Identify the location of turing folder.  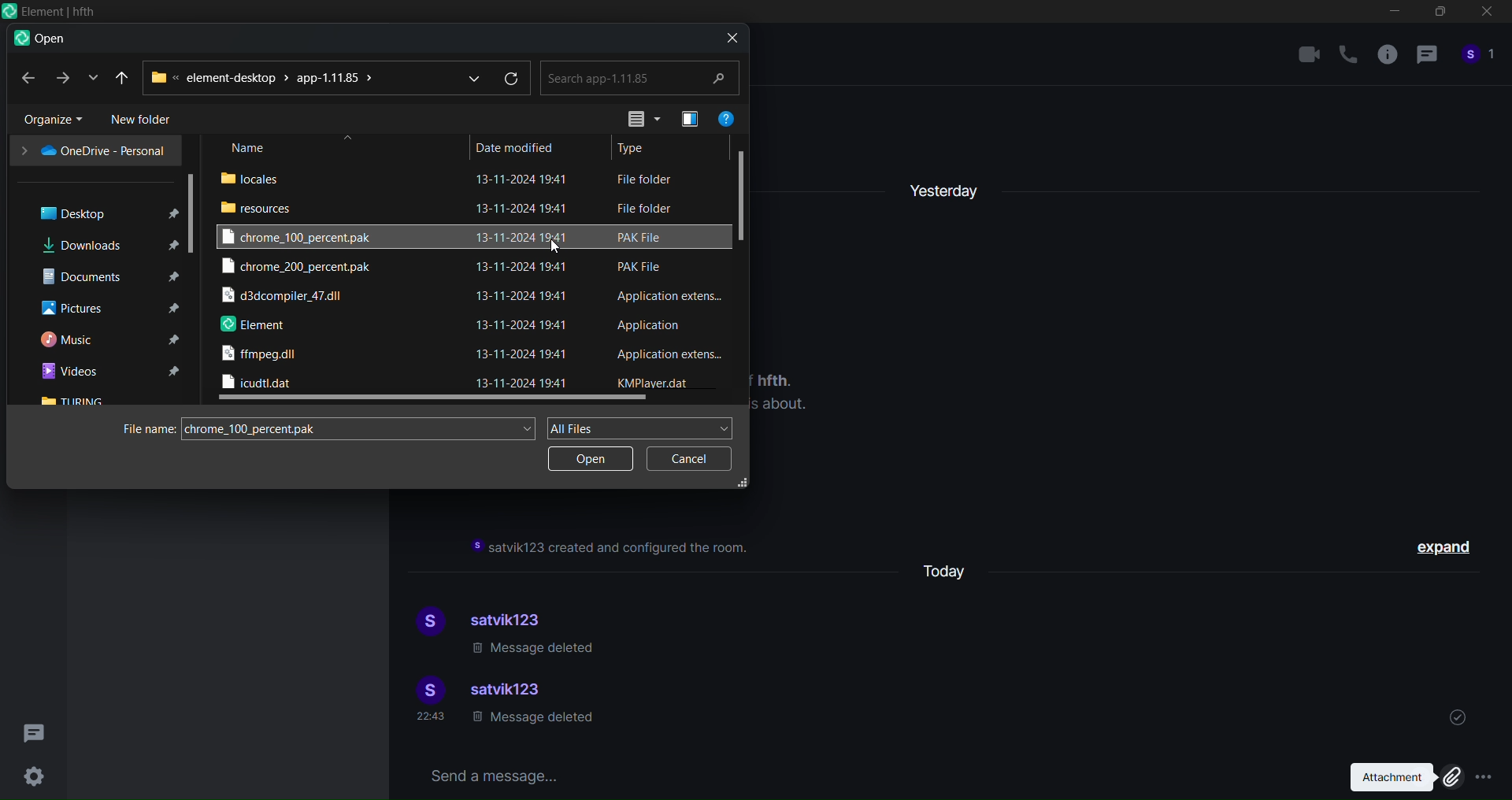
(76, 401).